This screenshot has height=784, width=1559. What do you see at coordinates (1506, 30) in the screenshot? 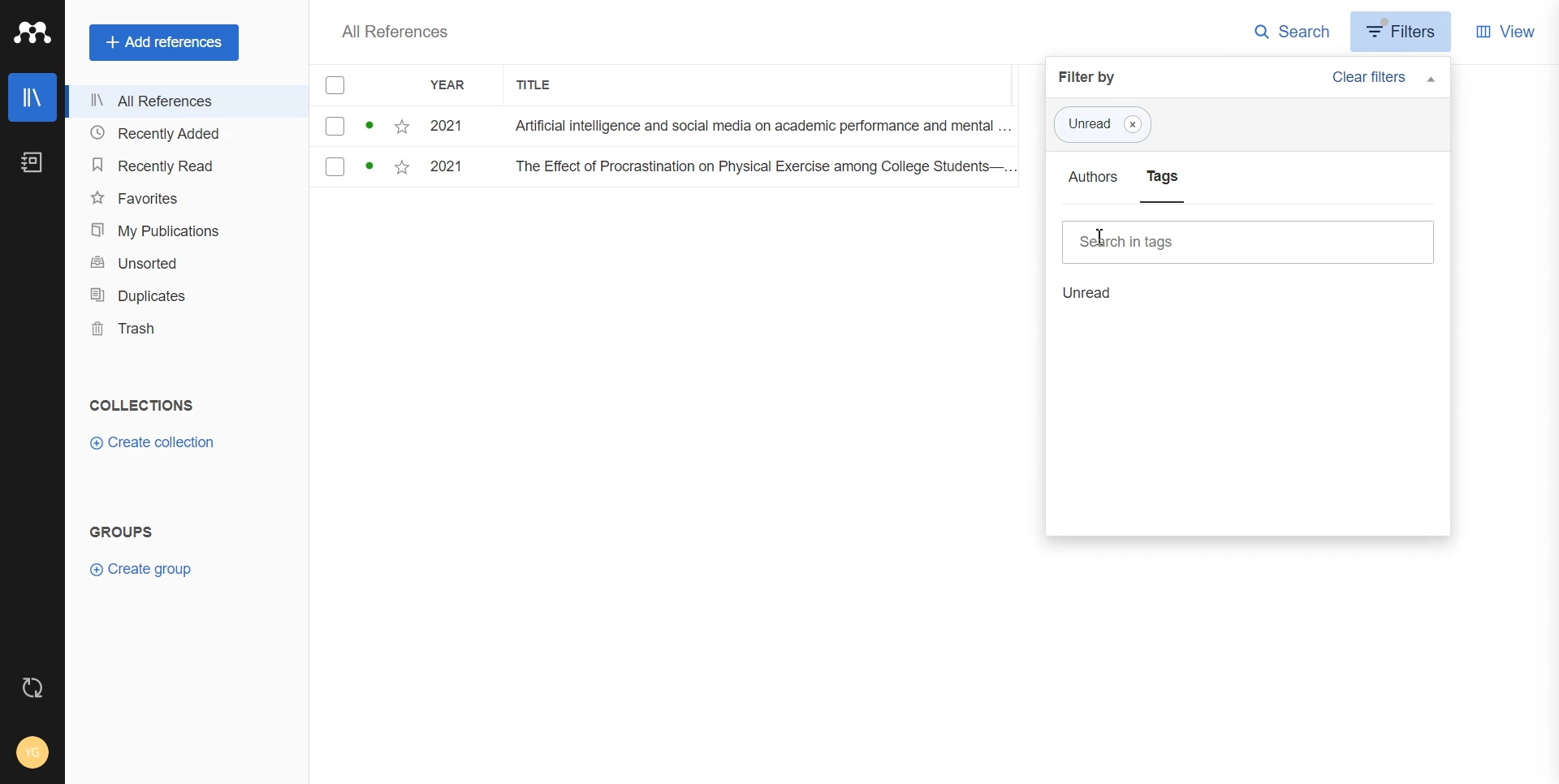
I see `View` at bounding box center [1506, 30].